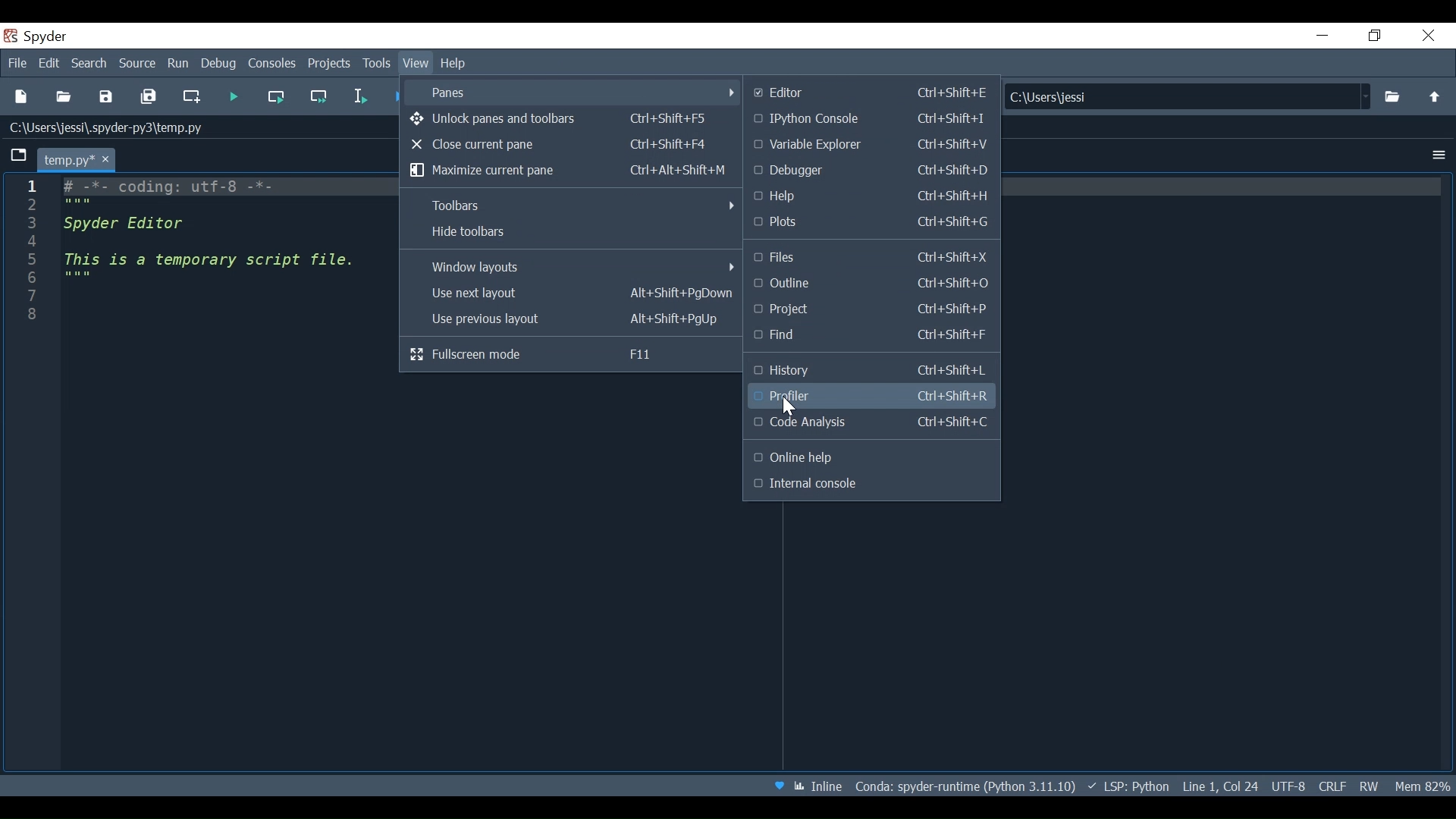 The image size is (1456, 819). What do you see at coordinates (277, 96) in the screenshot?
I see `Run current cell ` at bounding box center [277, 96].